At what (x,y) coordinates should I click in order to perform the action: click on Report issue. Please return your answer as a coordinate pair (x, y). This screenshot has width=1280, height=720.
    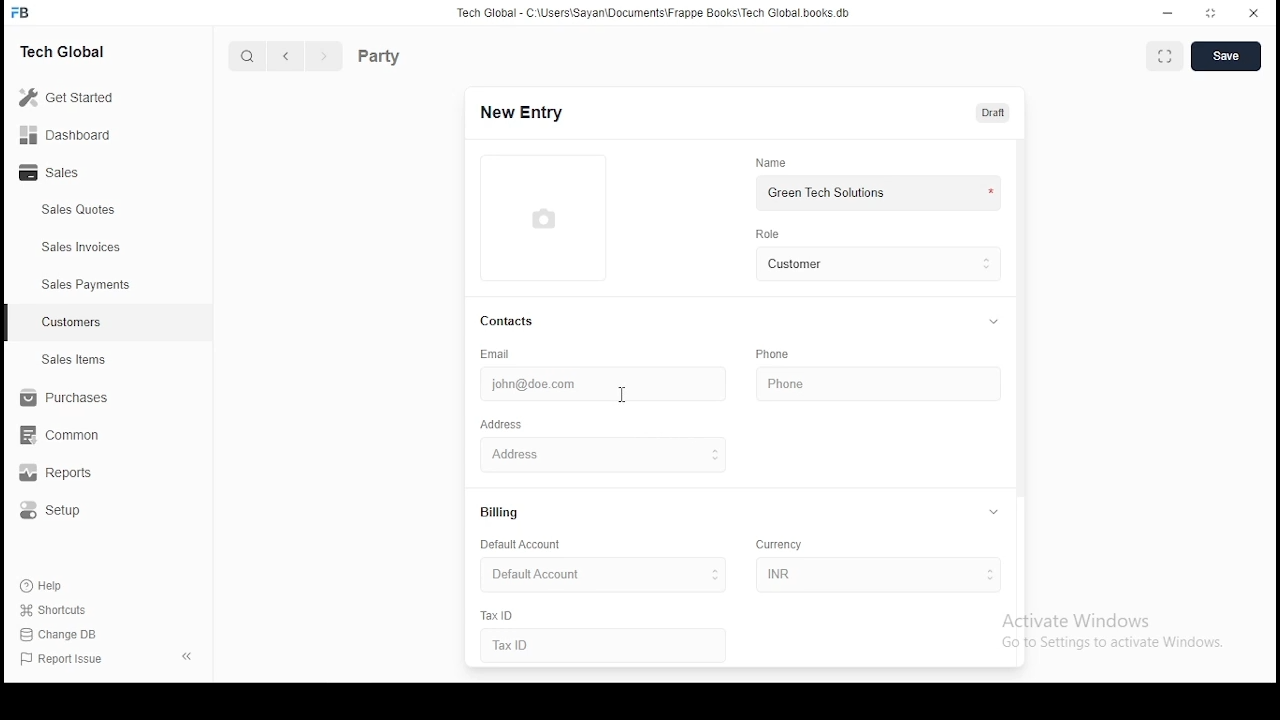
    Looking at the image, I should click on (65, 660).